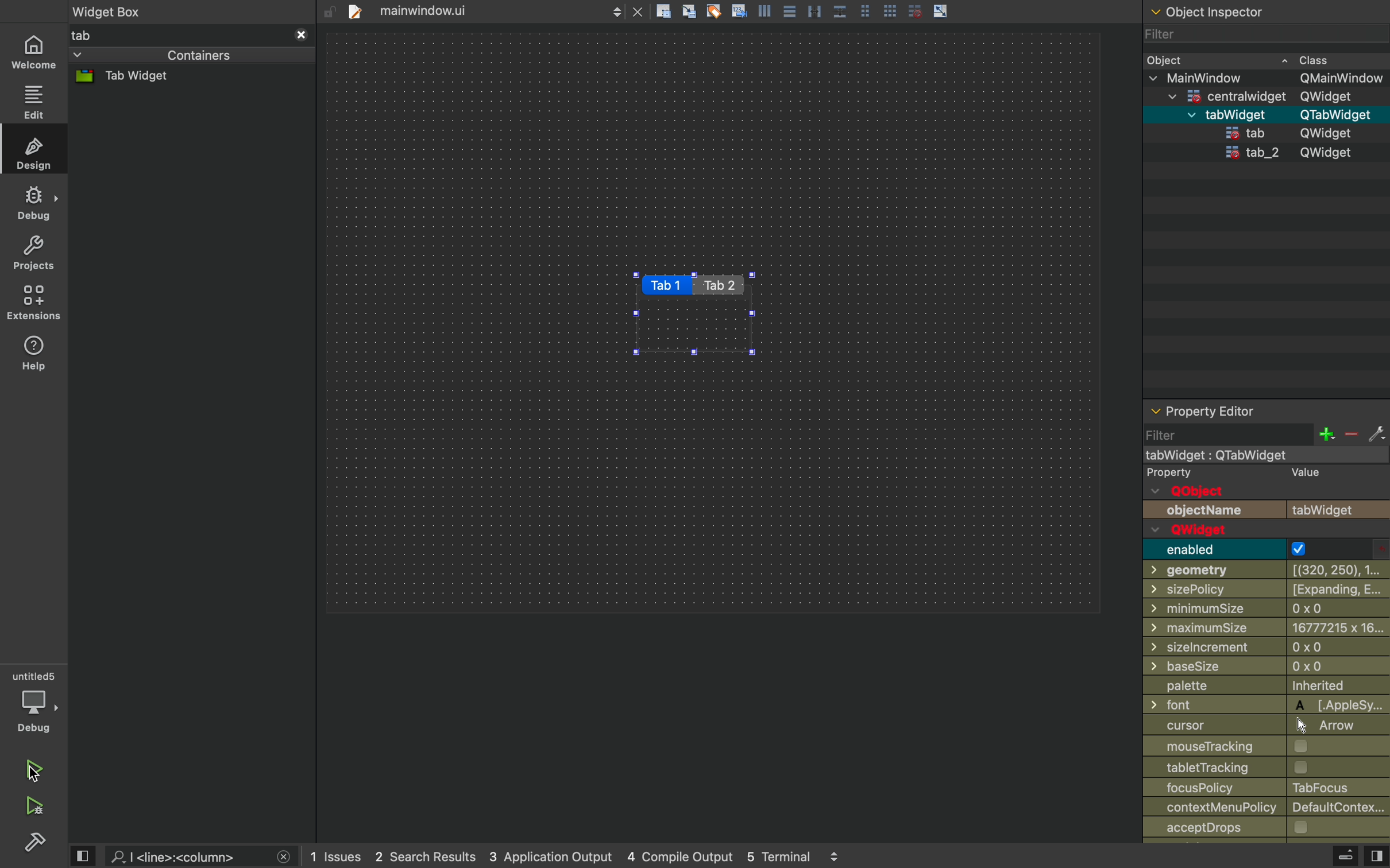 The height and width of the screenshot is (868, 1390). What do you see at coordinates (465, 10) in the screenshot?
I see `tab` at bounding box center [465, 10].